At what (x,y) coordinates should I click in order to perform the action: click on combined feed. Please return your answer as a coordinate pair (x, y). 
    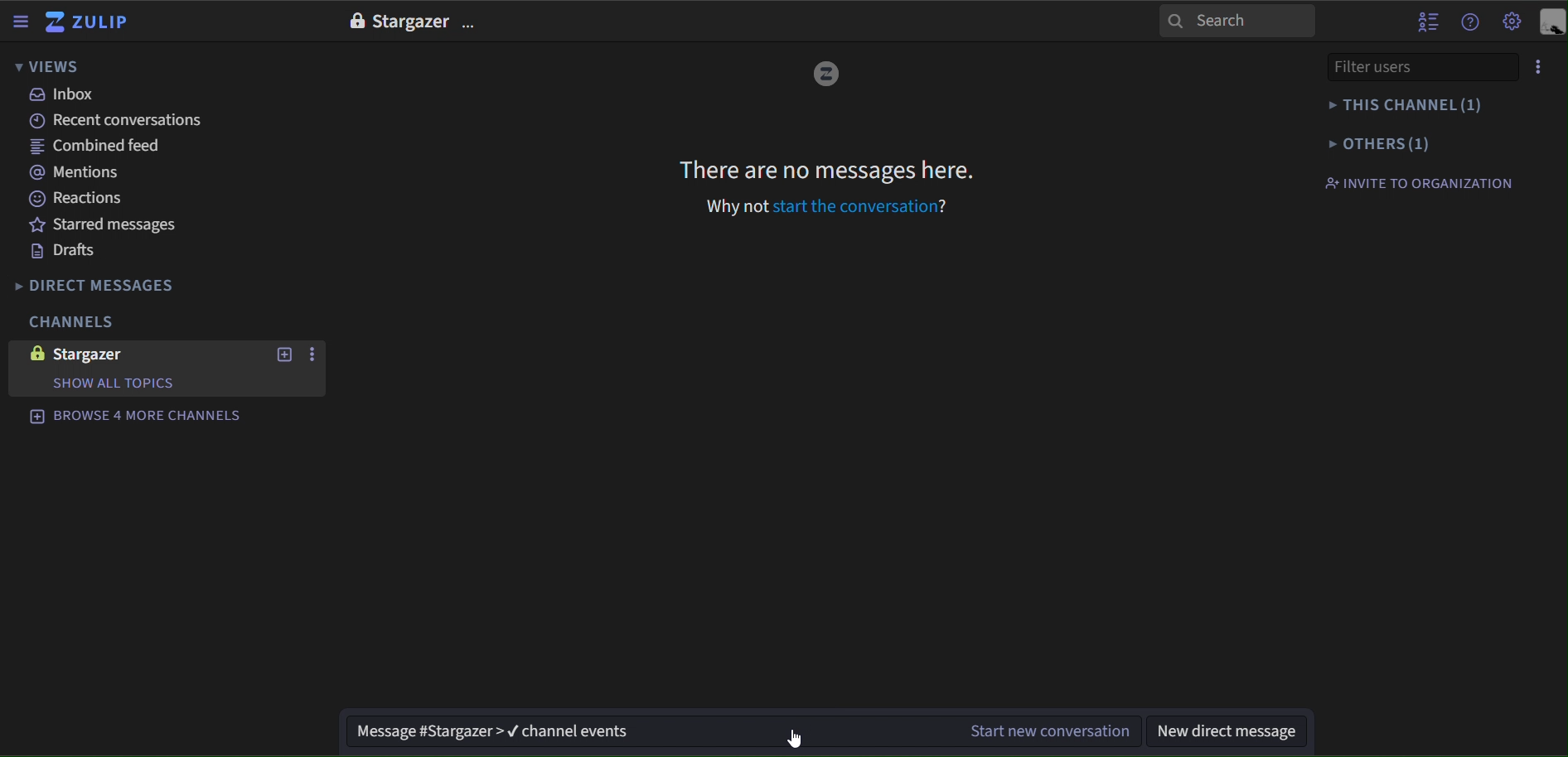
    Looking at the image, I should click on (102, 149).